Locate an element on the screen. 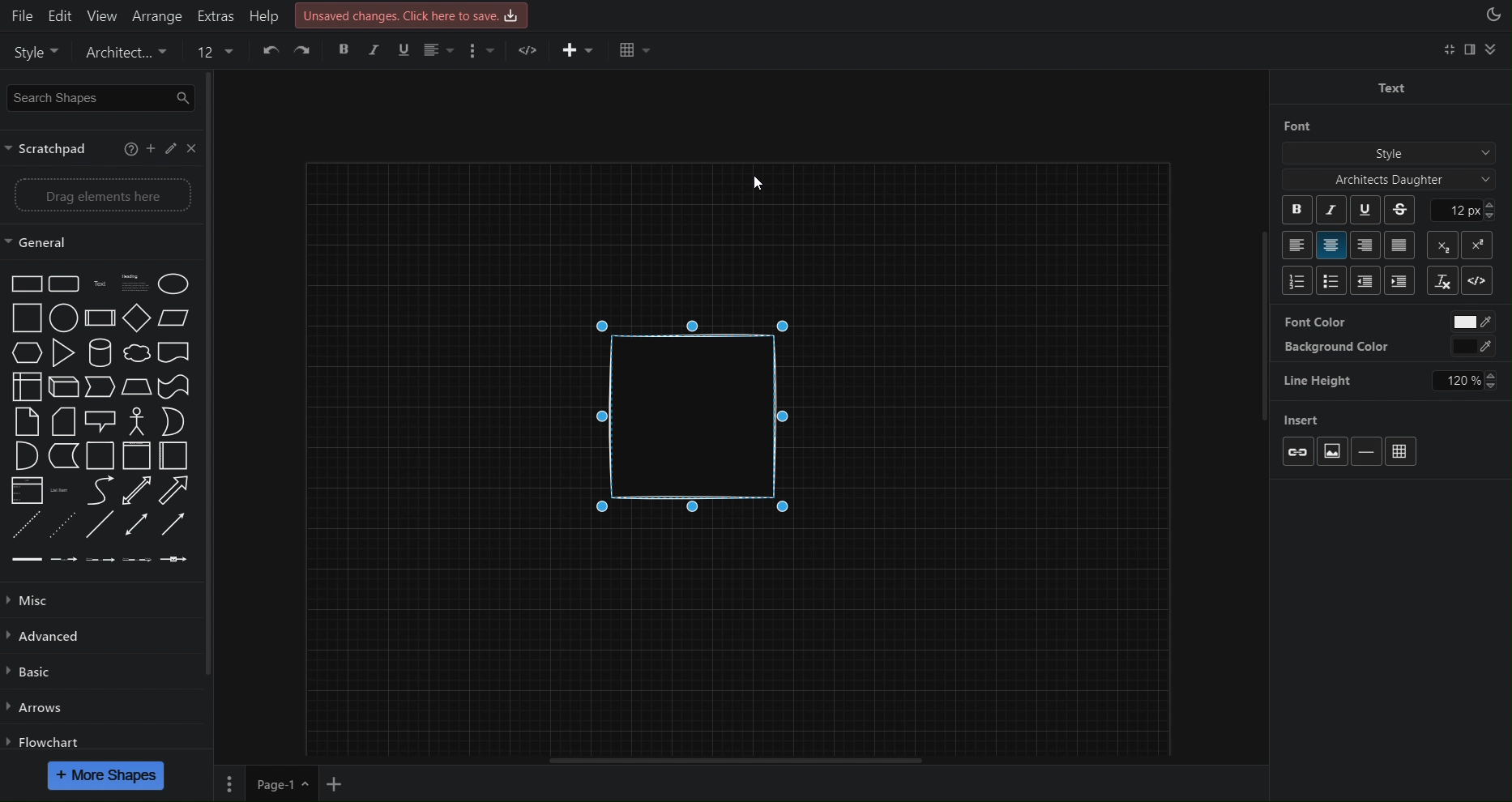 This screenshot has width=1512, height=802. Rectangle is located at coordinates (704, 426).